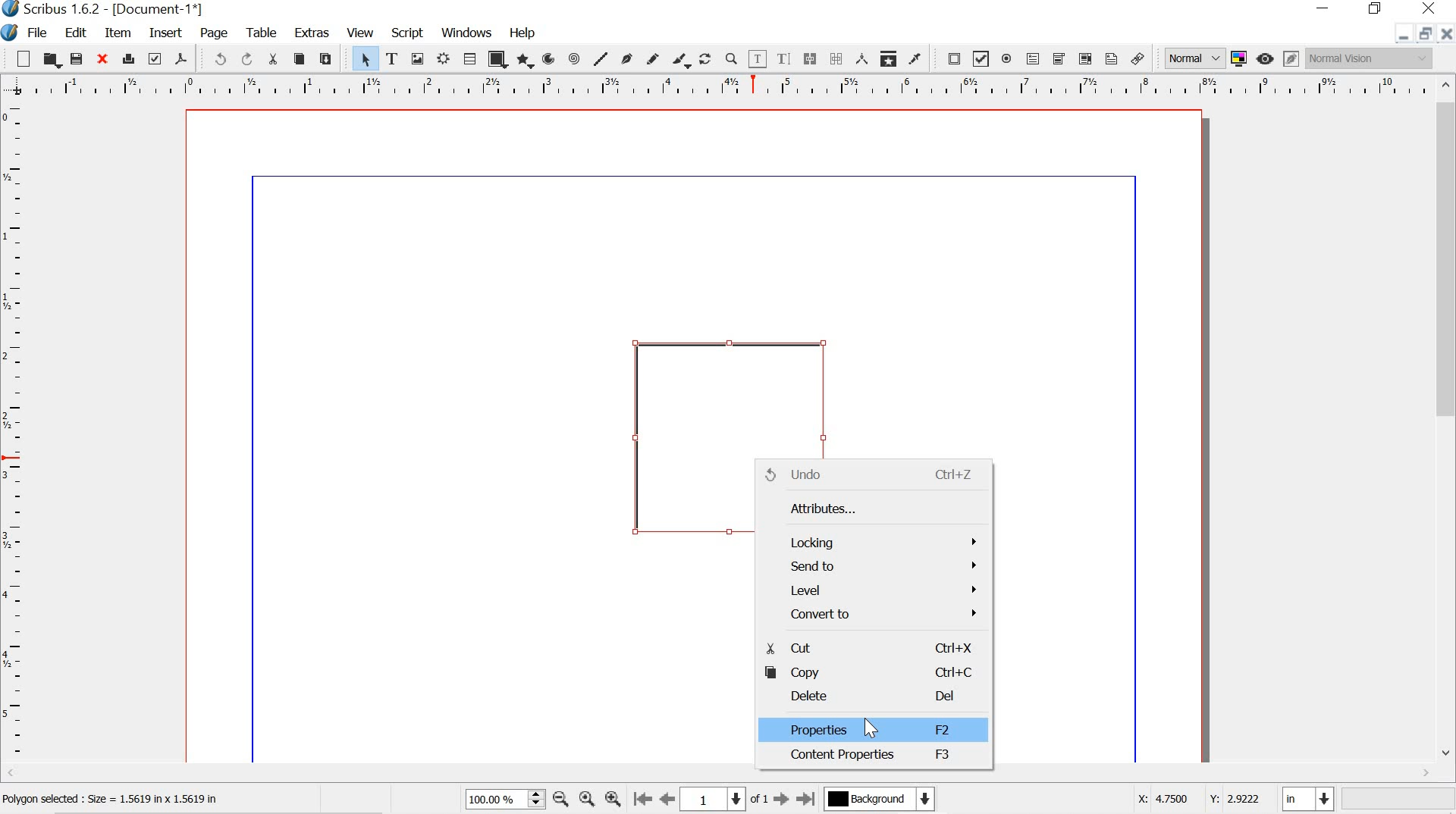  I want to click on open, so click(52, 59).